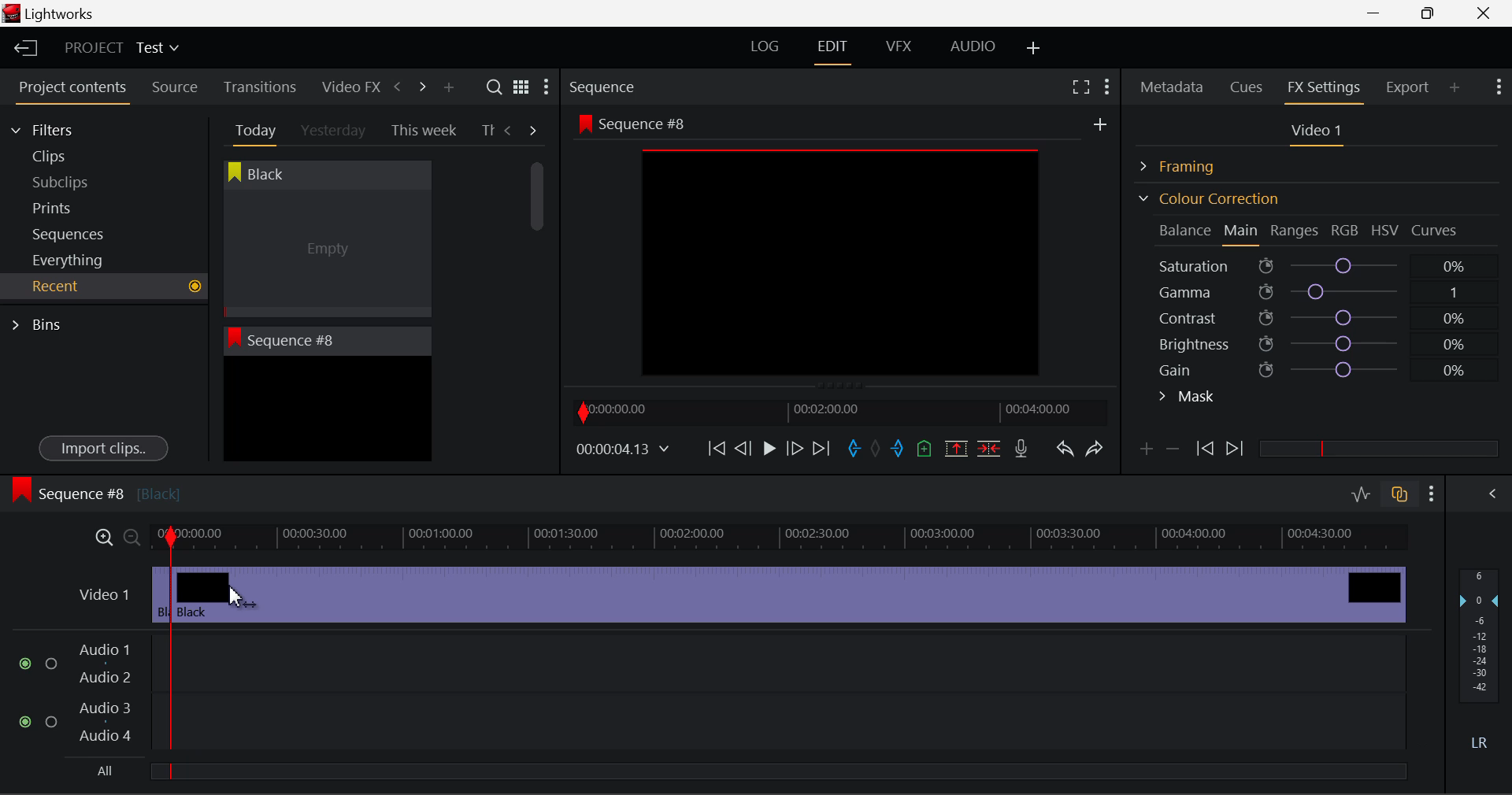 The image size is (1512, 795). Describe the element at coordinates (764, 46) in the screenshot. I see `LOG Layout` at that location.